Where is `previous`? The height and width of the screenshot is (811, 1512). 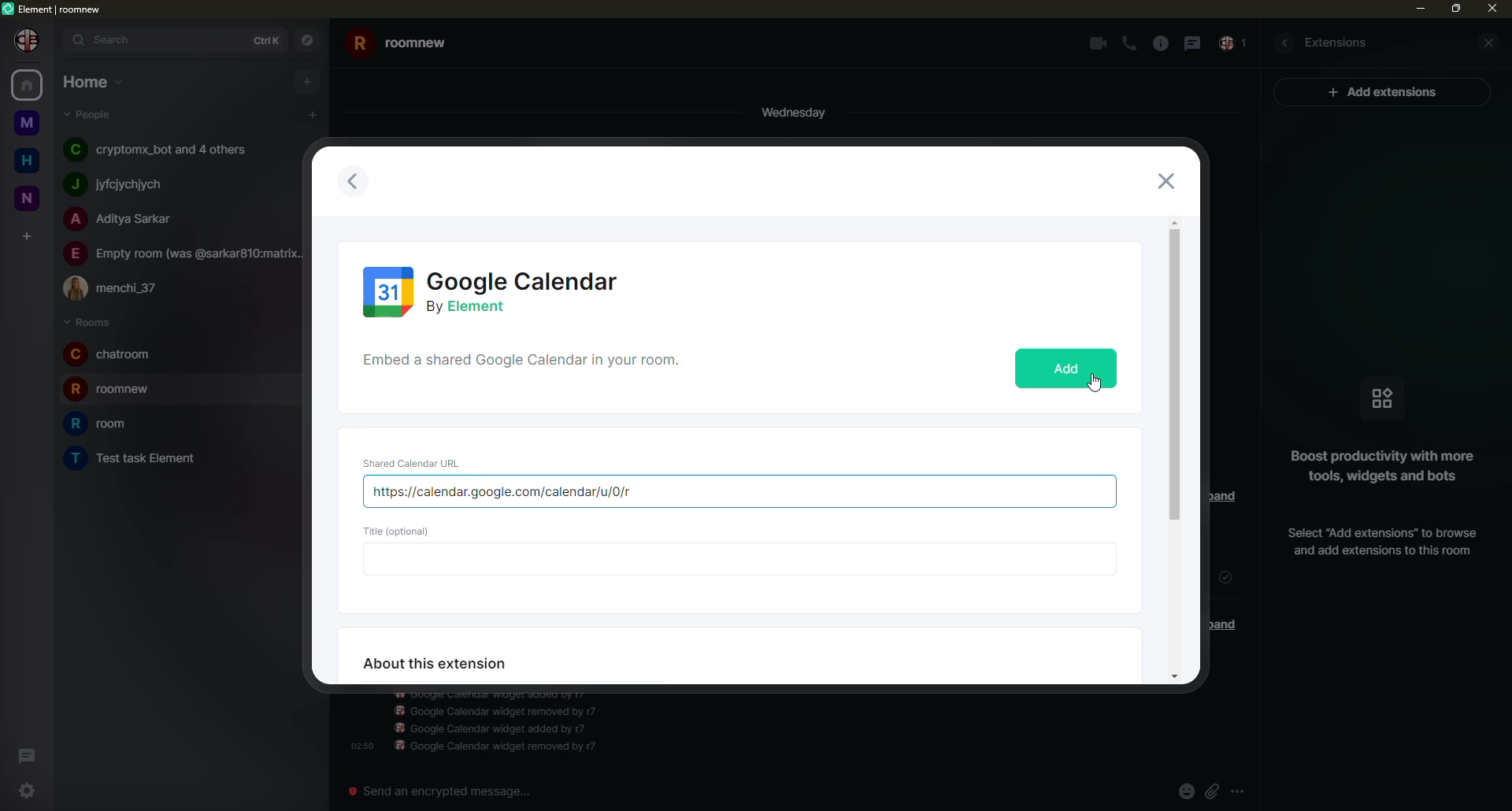
previous is located at coordinates (358, 183).